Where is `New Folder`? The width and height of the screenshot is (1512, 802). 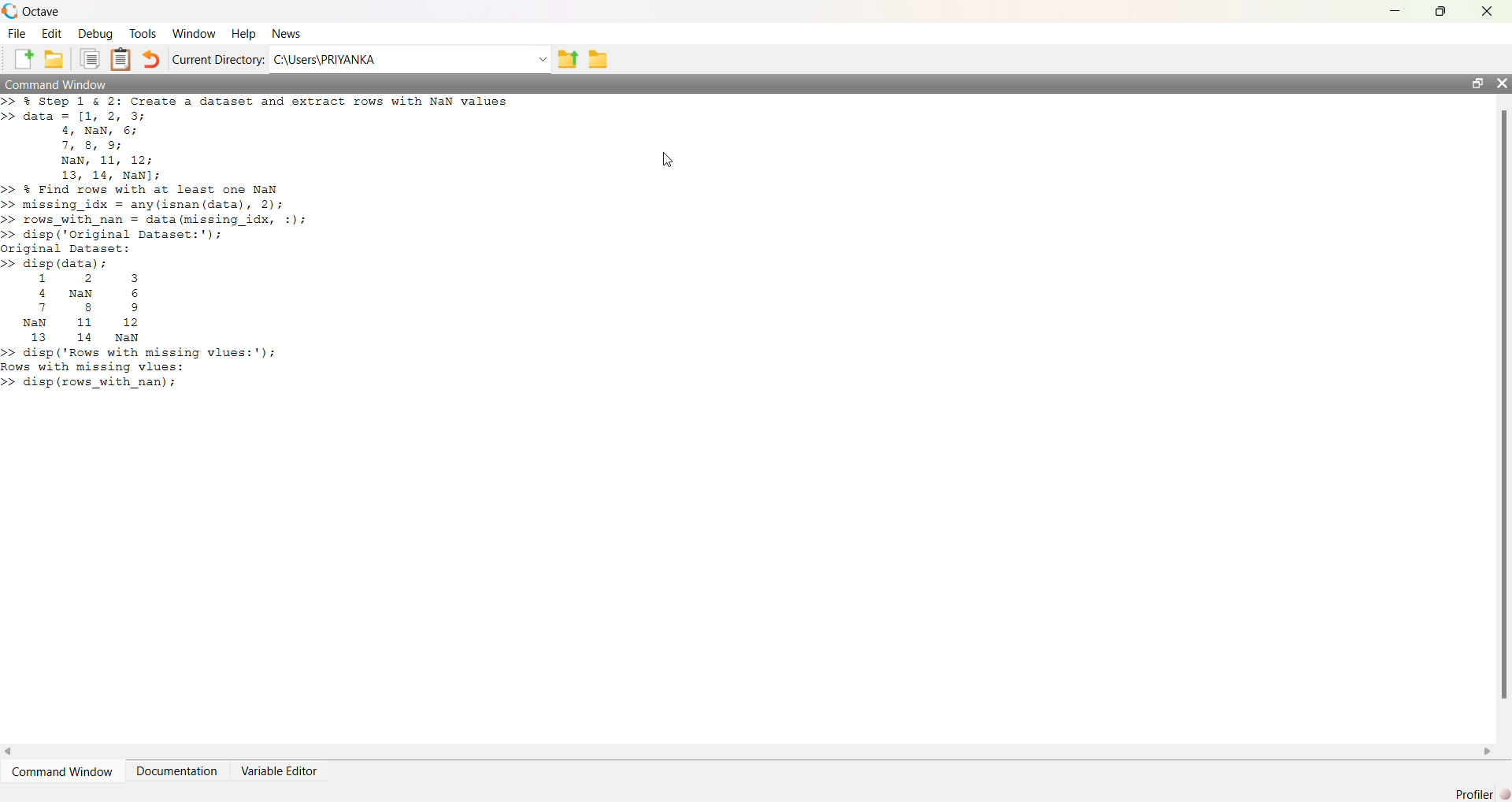
New Folder is located at coordinates (54, 59).